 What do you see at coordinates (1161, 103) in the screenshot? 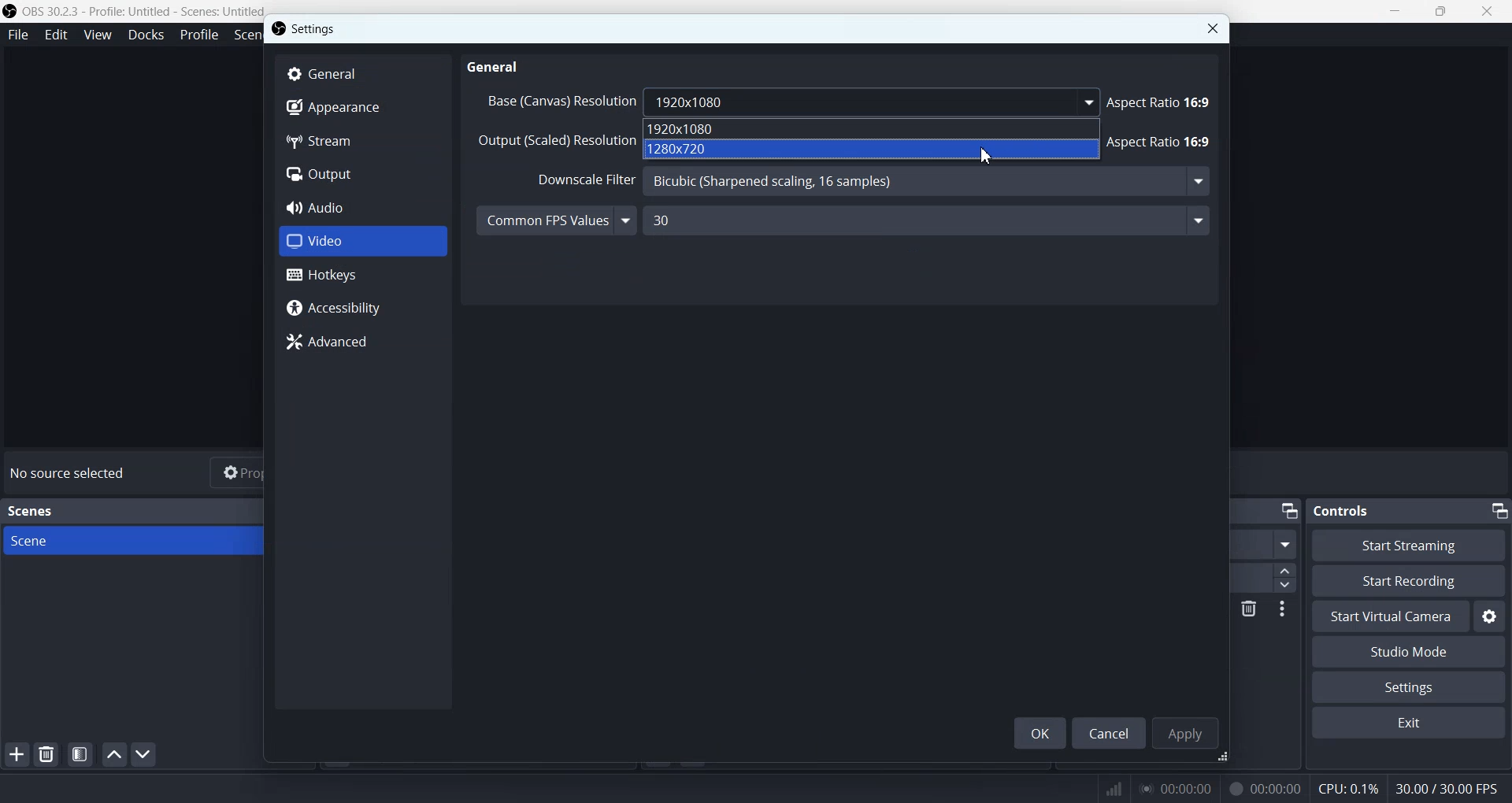
I see `Aspect Ratio 16:9` at bounding box center [1161, 103].